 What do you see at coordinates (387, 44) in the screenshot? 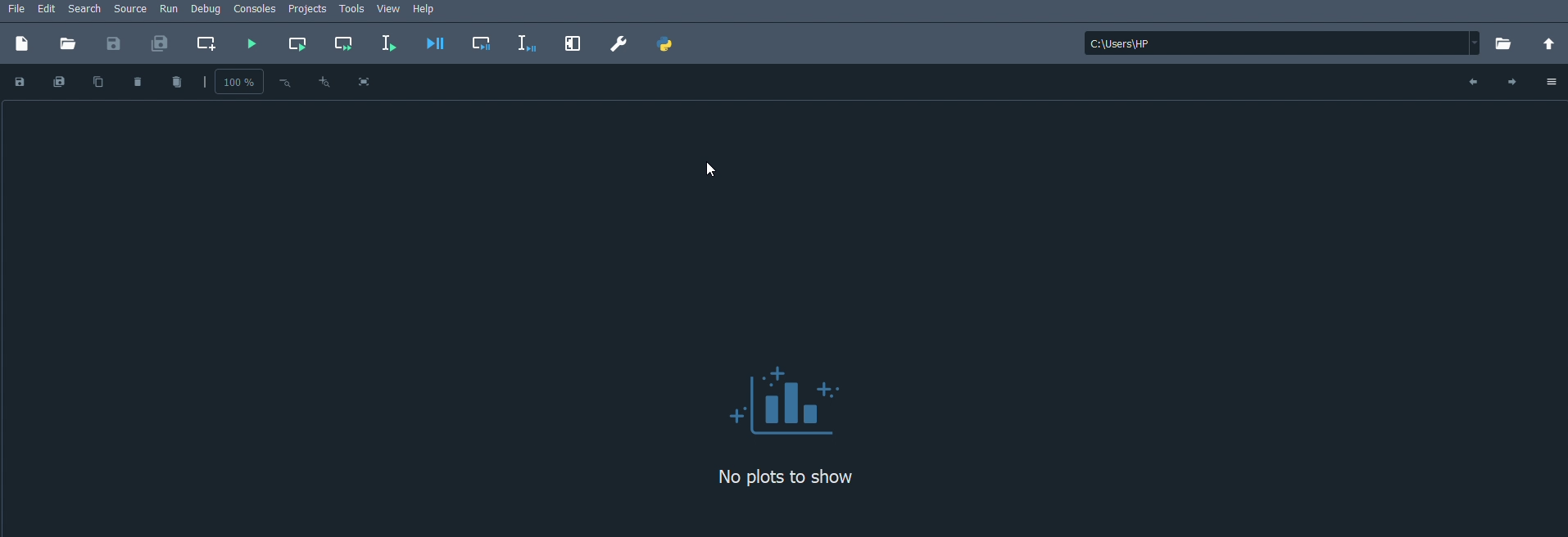
I see `Run selection or current line` at bounding box center [387, 44].